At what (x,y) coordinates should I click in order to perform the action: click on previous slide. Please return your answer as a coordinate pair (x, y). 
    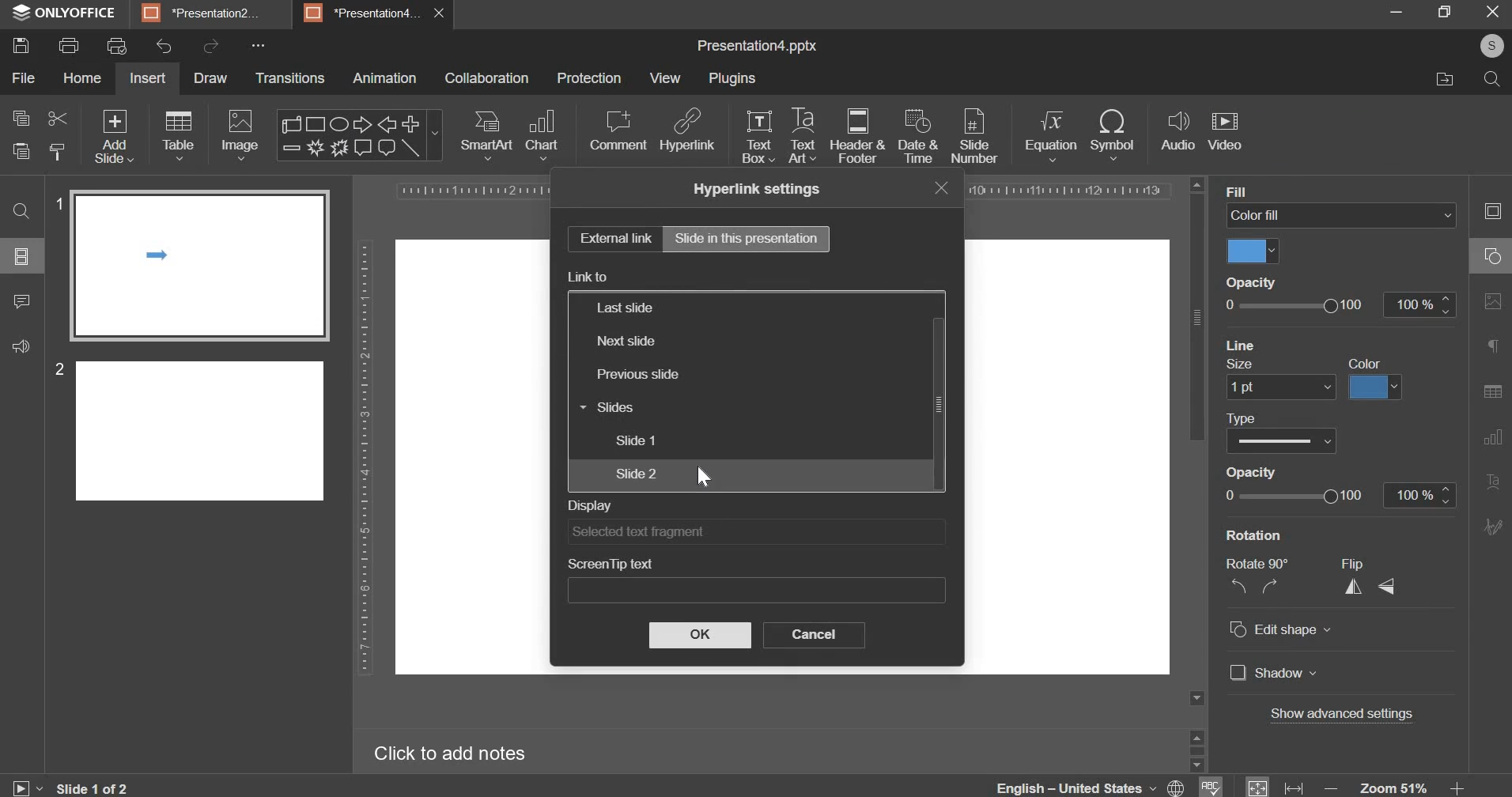
    Looking at the image, I should click on (636, 374).